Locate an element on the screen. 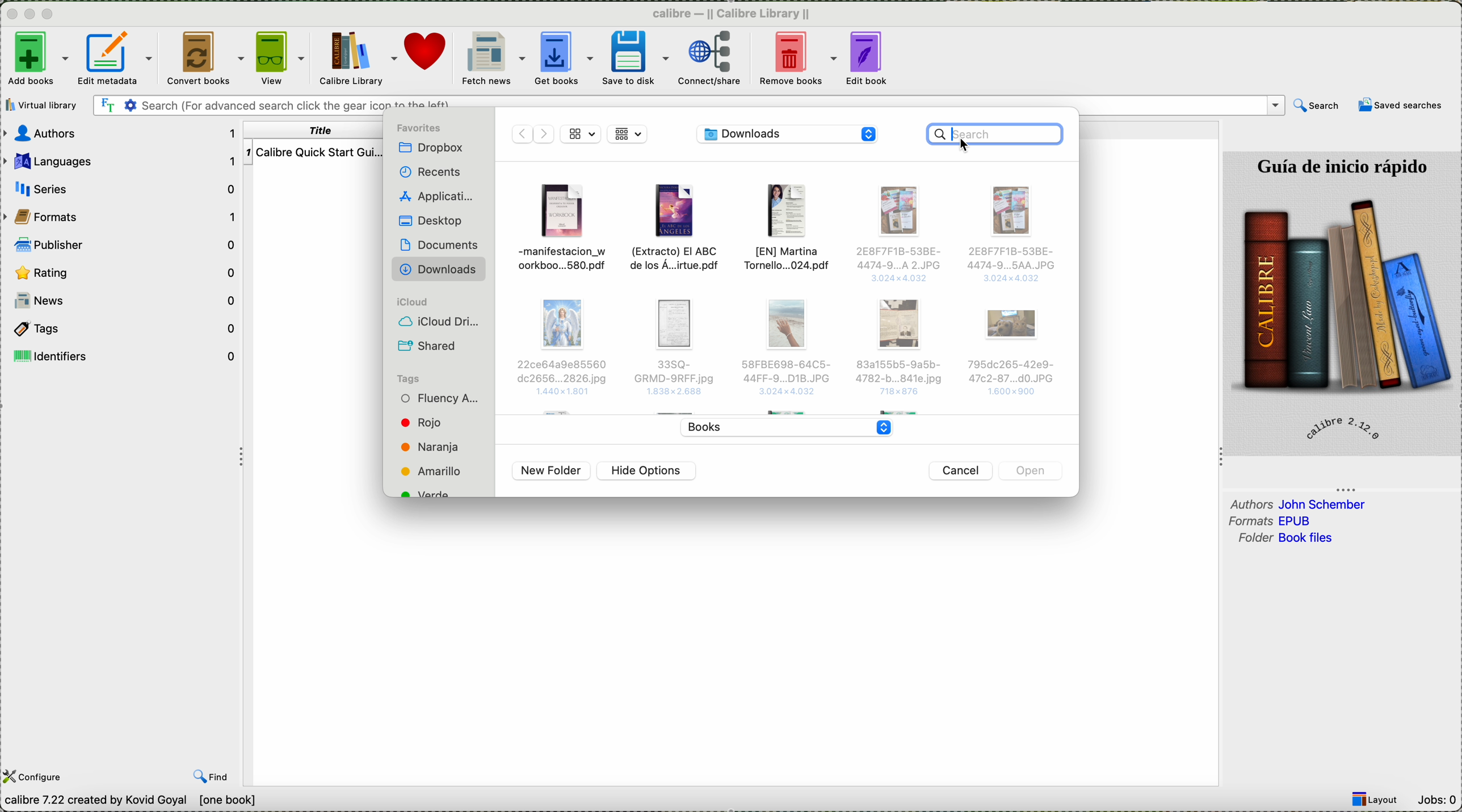 The height and width of the screenshot is (812, 1462). maximize program is located at coordinates (50, 15).